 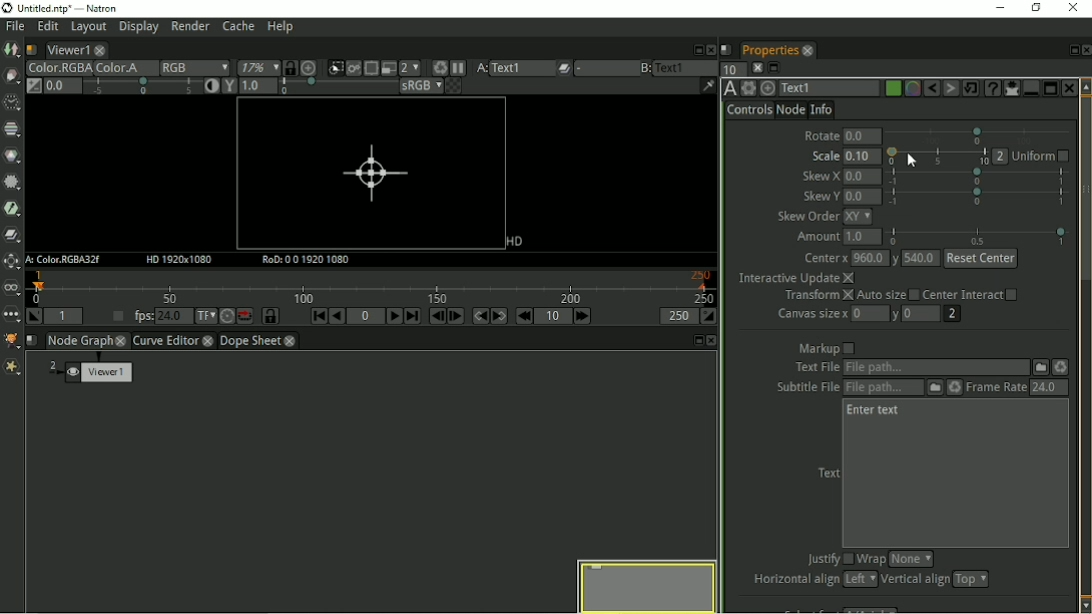 What do you see at coordinates (796, 278) in the screenshot?
I see `Interactive update` at bounding box center [796, 278].